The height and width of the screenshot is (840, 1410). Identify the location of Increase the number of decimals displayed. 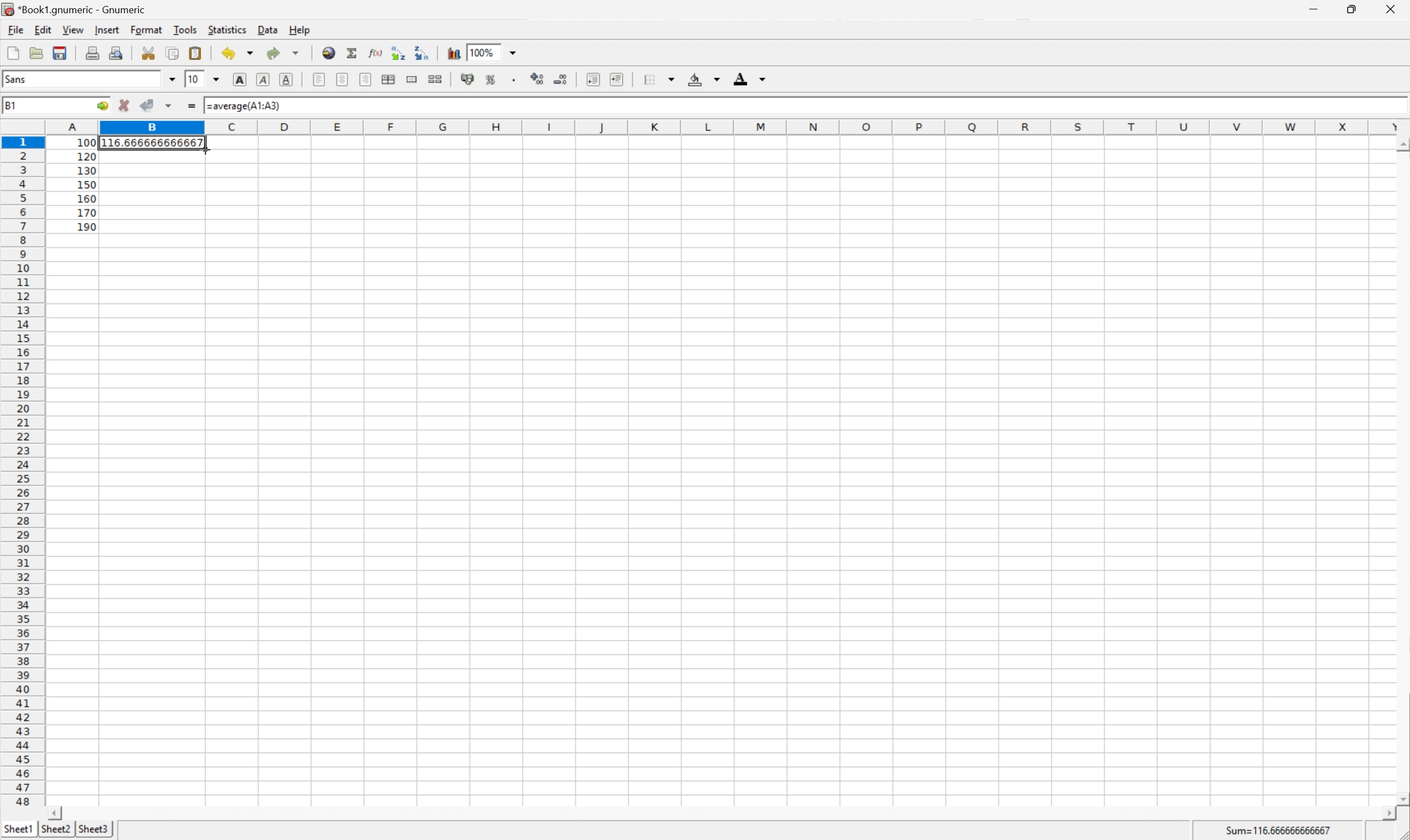
(539, 79).